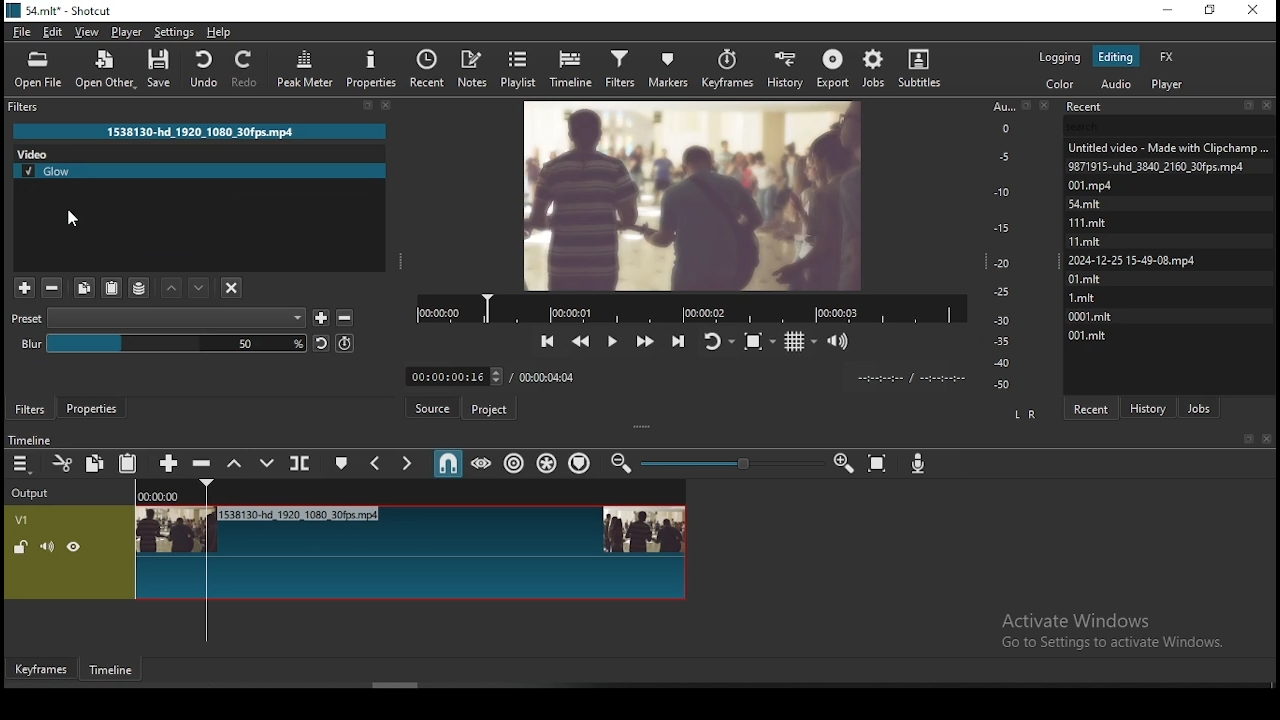 This screenshot has height=720, width=1280. Describe the element at coordinates (200, 290) in the screenshot. I see `move filter down` at that location.